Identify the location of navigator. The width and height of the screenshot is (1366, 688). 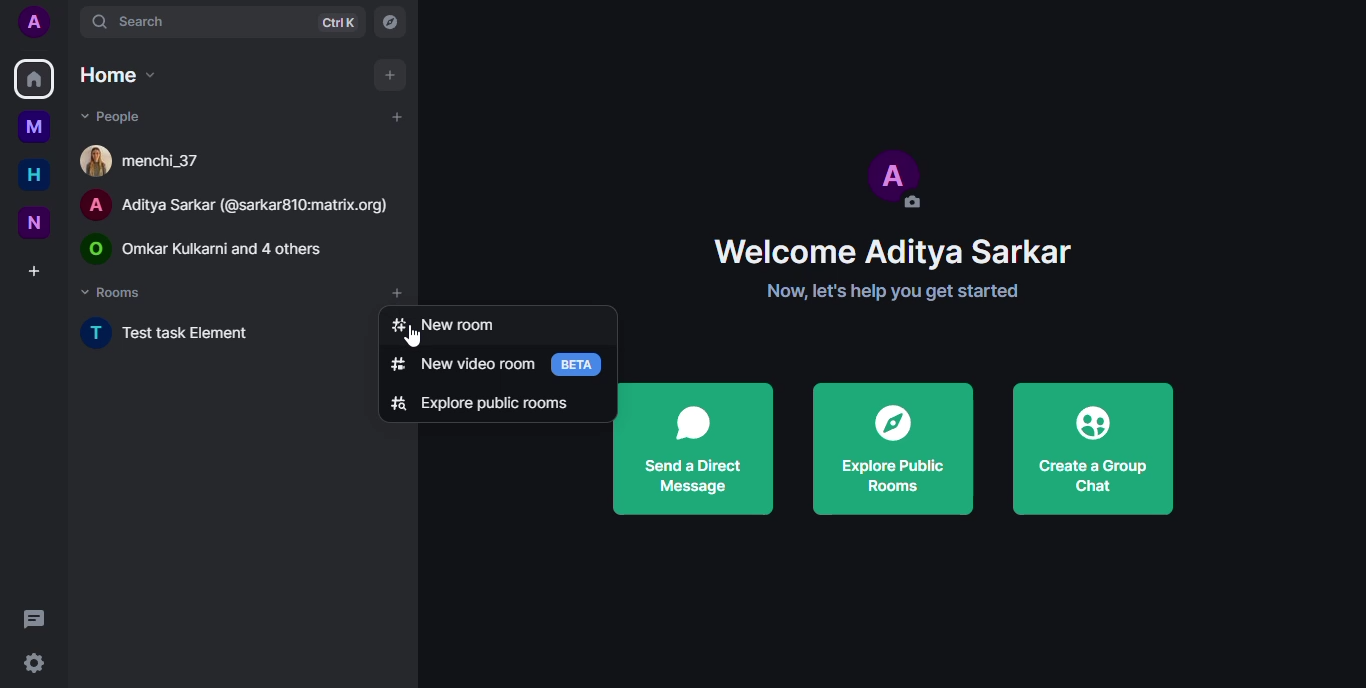
(392, 24).